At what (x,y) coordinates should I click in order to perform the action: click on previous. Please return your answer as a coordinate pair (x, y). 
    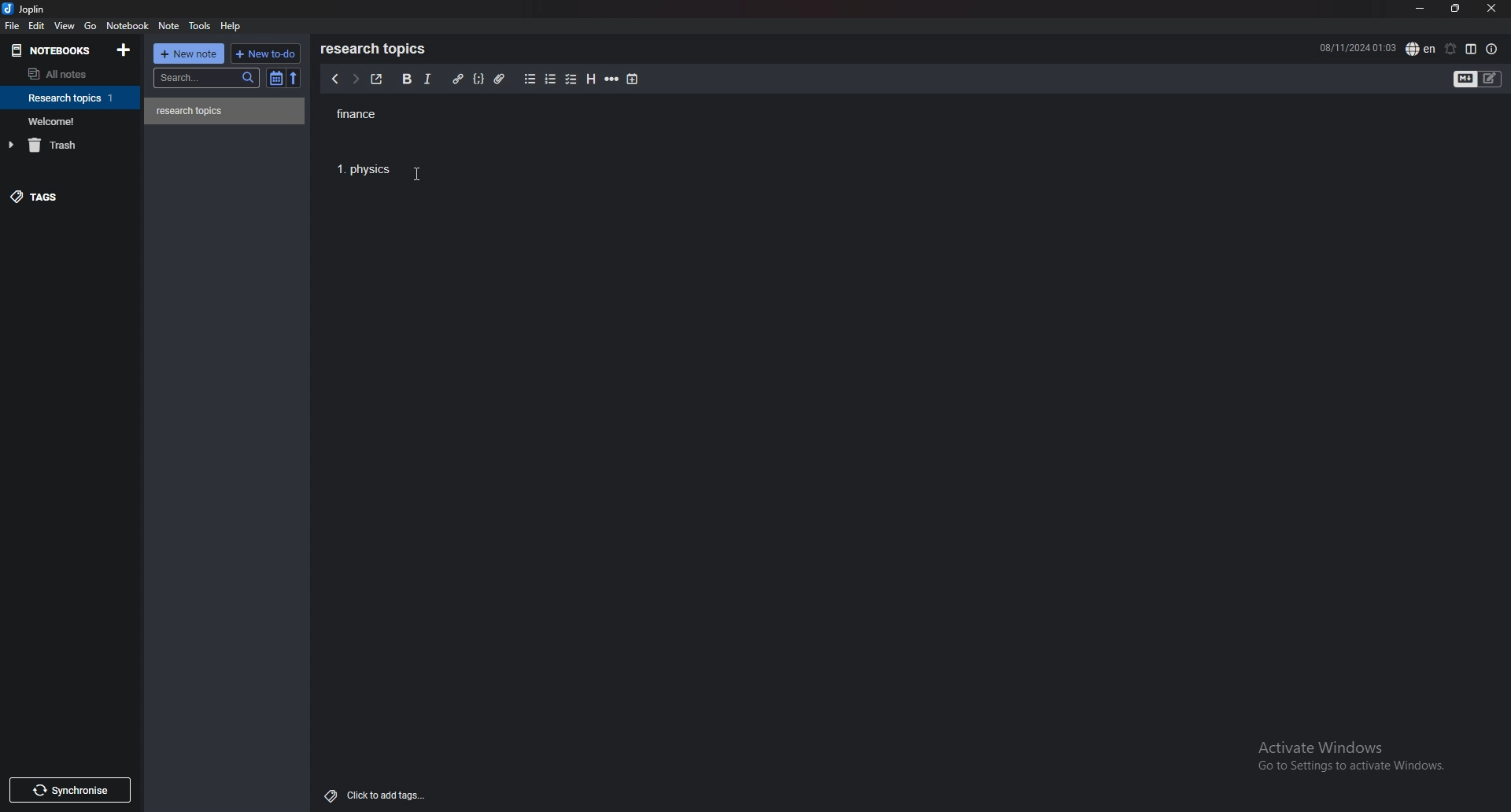
    Looking at the image, I should click on (335, 80).